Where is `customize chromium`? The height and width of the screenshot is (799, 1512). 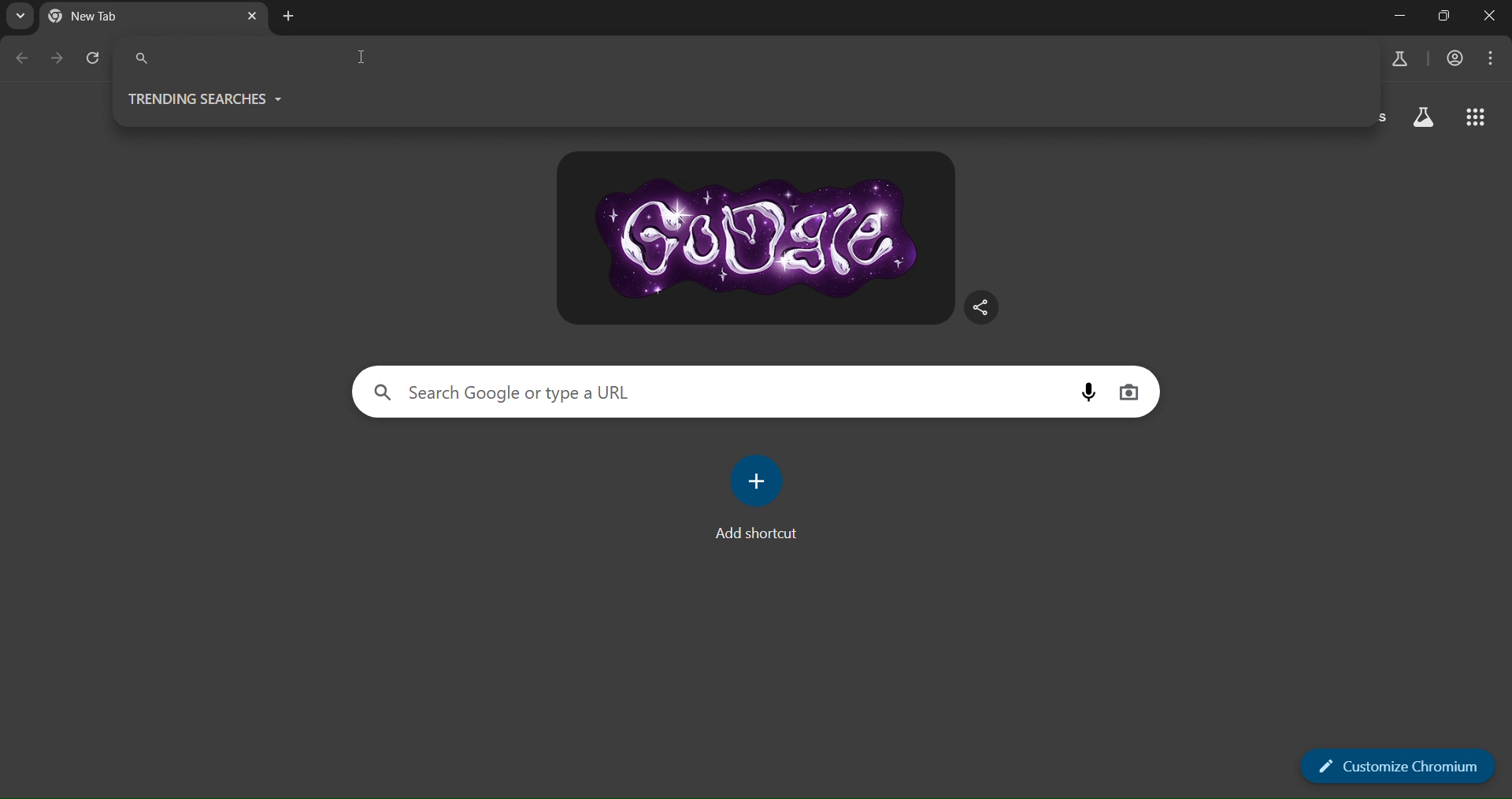
customize chromium is located at coordinates (1397, 765).